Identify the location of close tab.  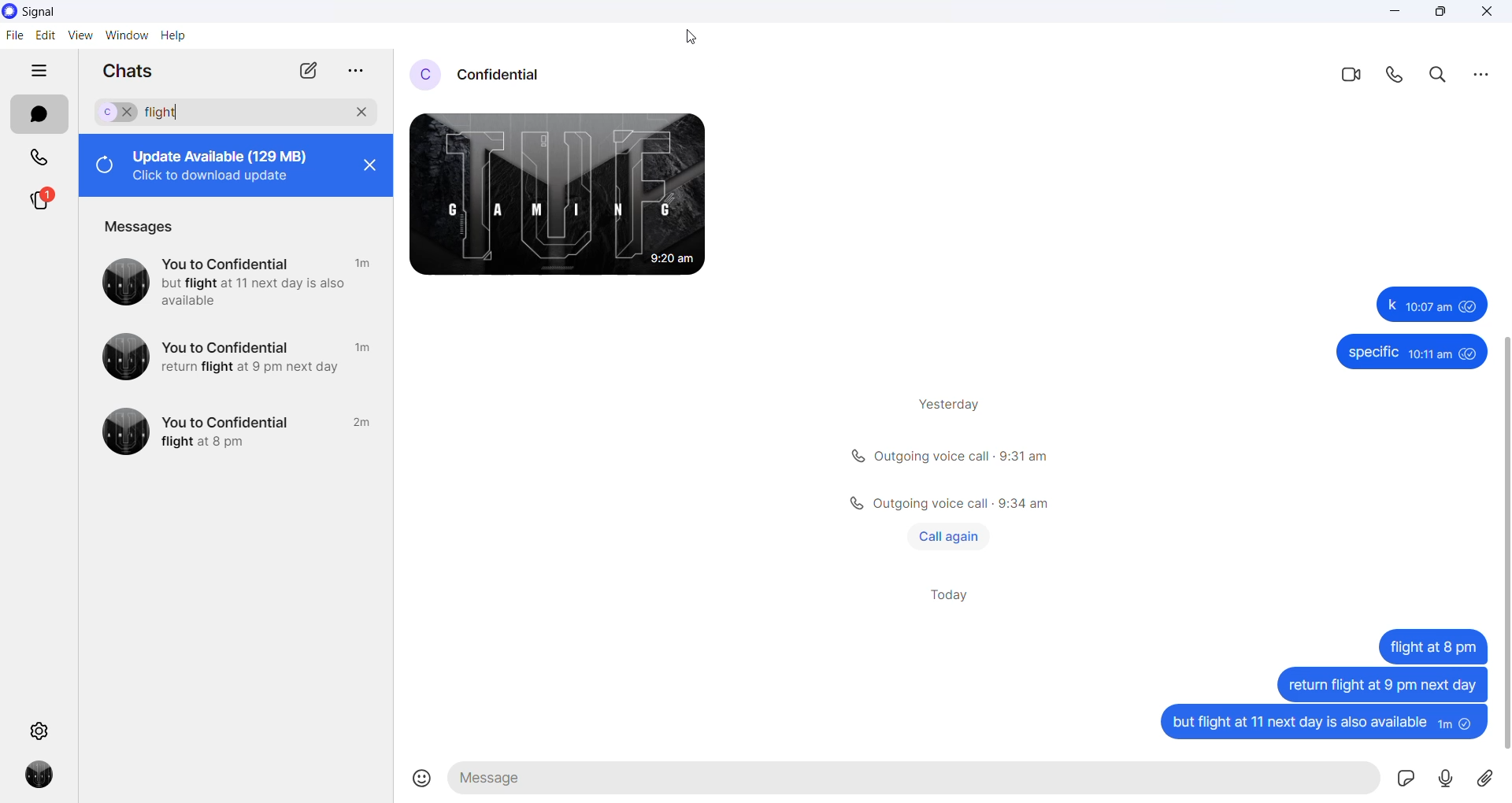
(354, 72).